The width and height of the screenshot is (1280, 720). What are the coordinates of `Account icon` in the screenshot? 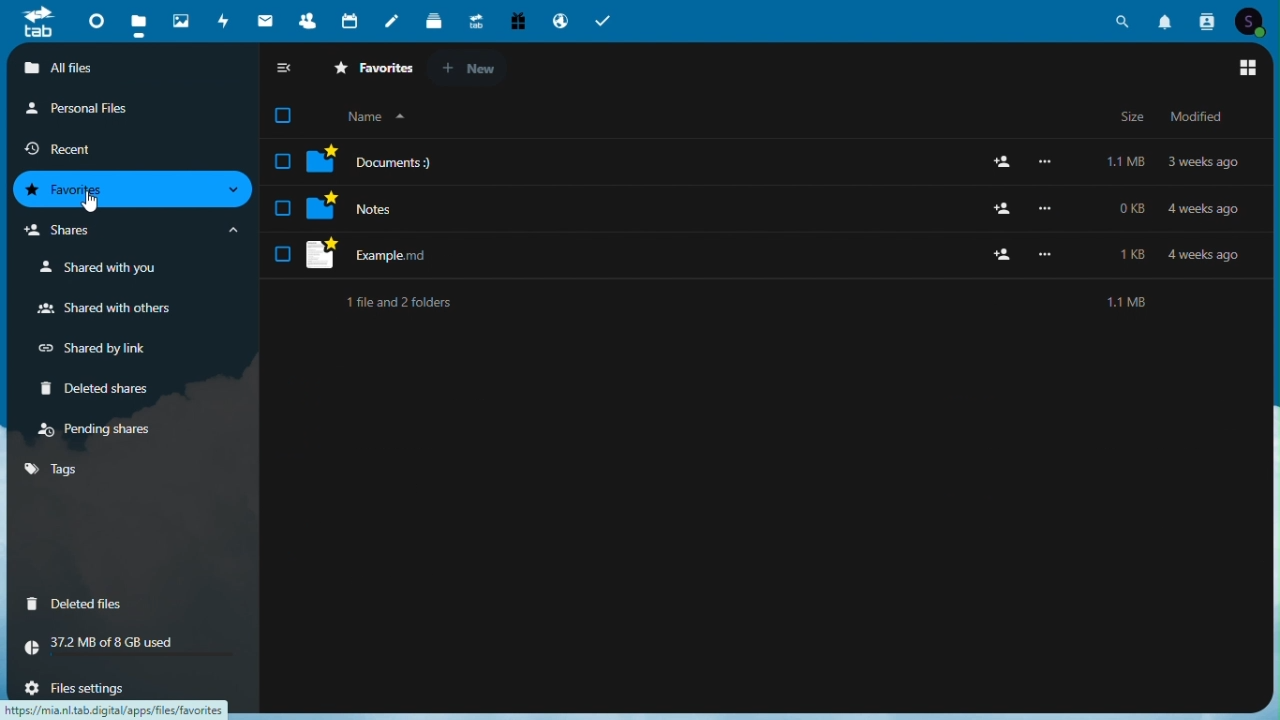 It's located at (1253, 21).